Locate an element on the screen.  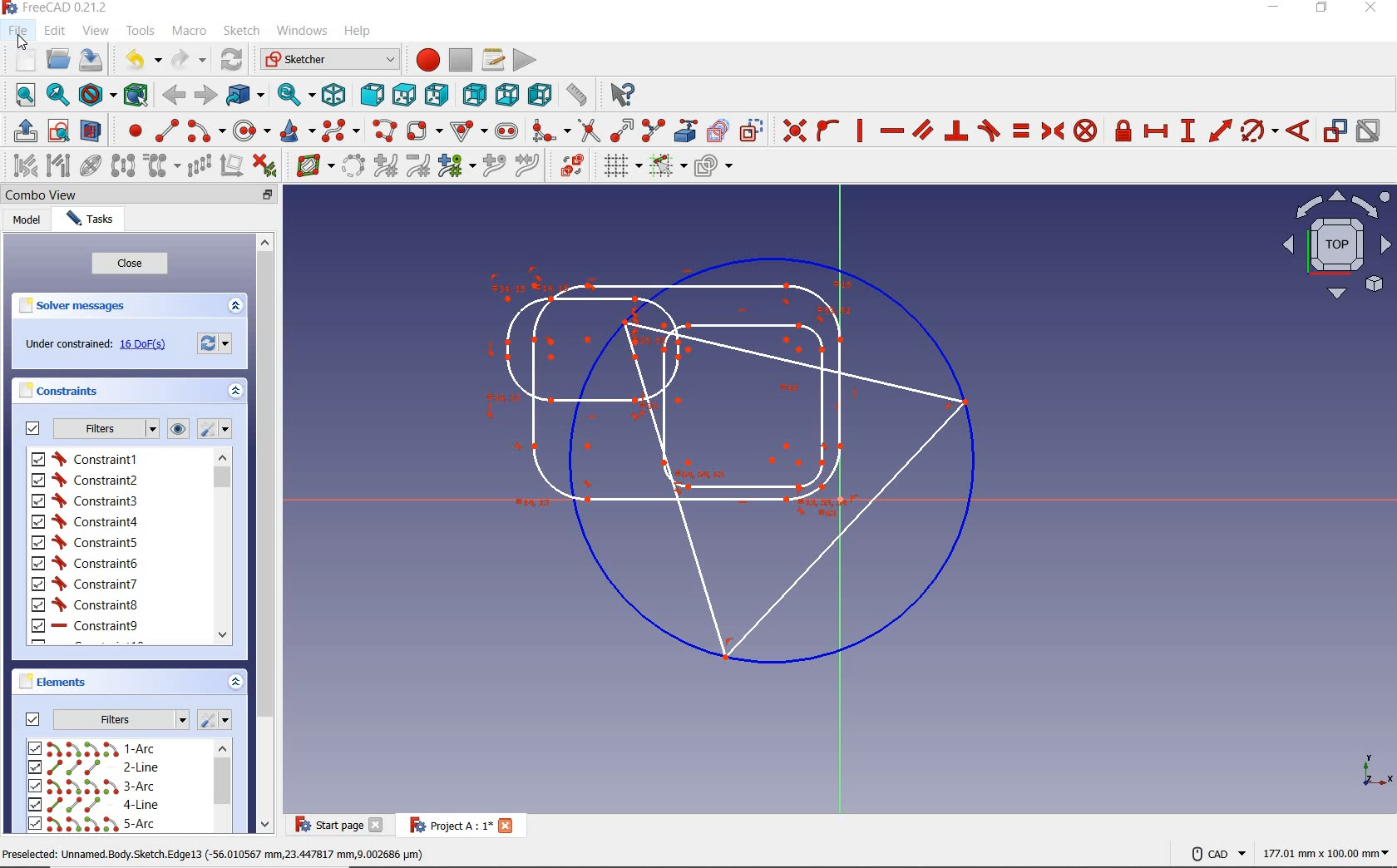
what's this? is located at coordinates (622, 95).